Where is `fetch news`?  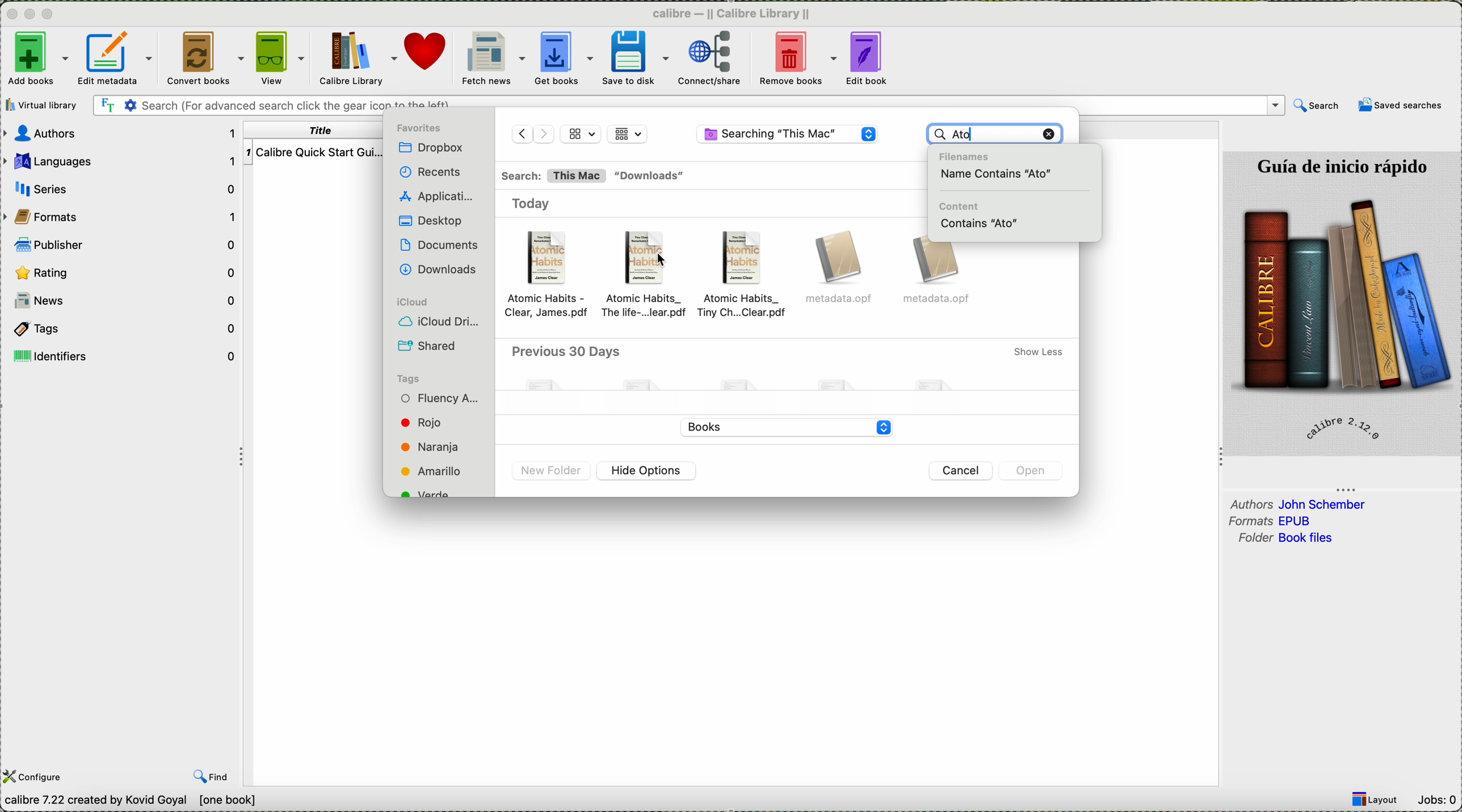 fetch news is located at coordinates (493, 59).